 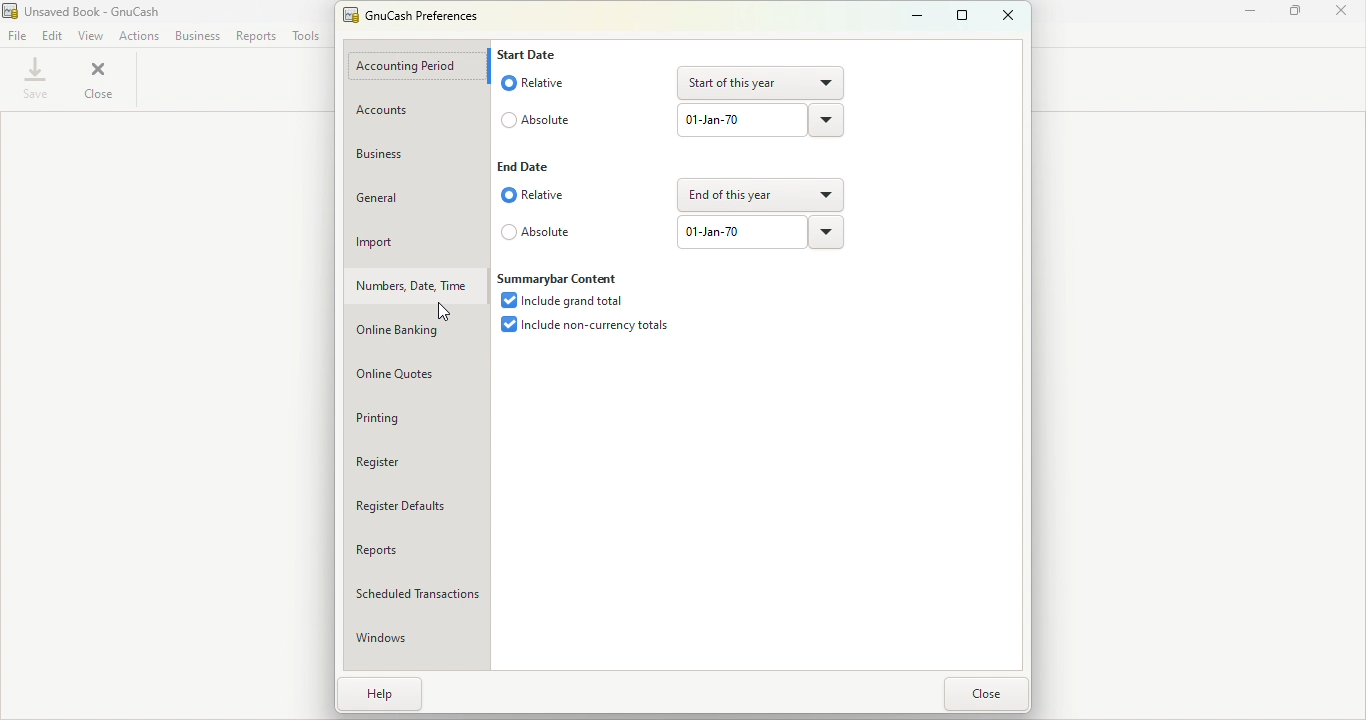 I want to click on Start date, so click(x=527, y=53).